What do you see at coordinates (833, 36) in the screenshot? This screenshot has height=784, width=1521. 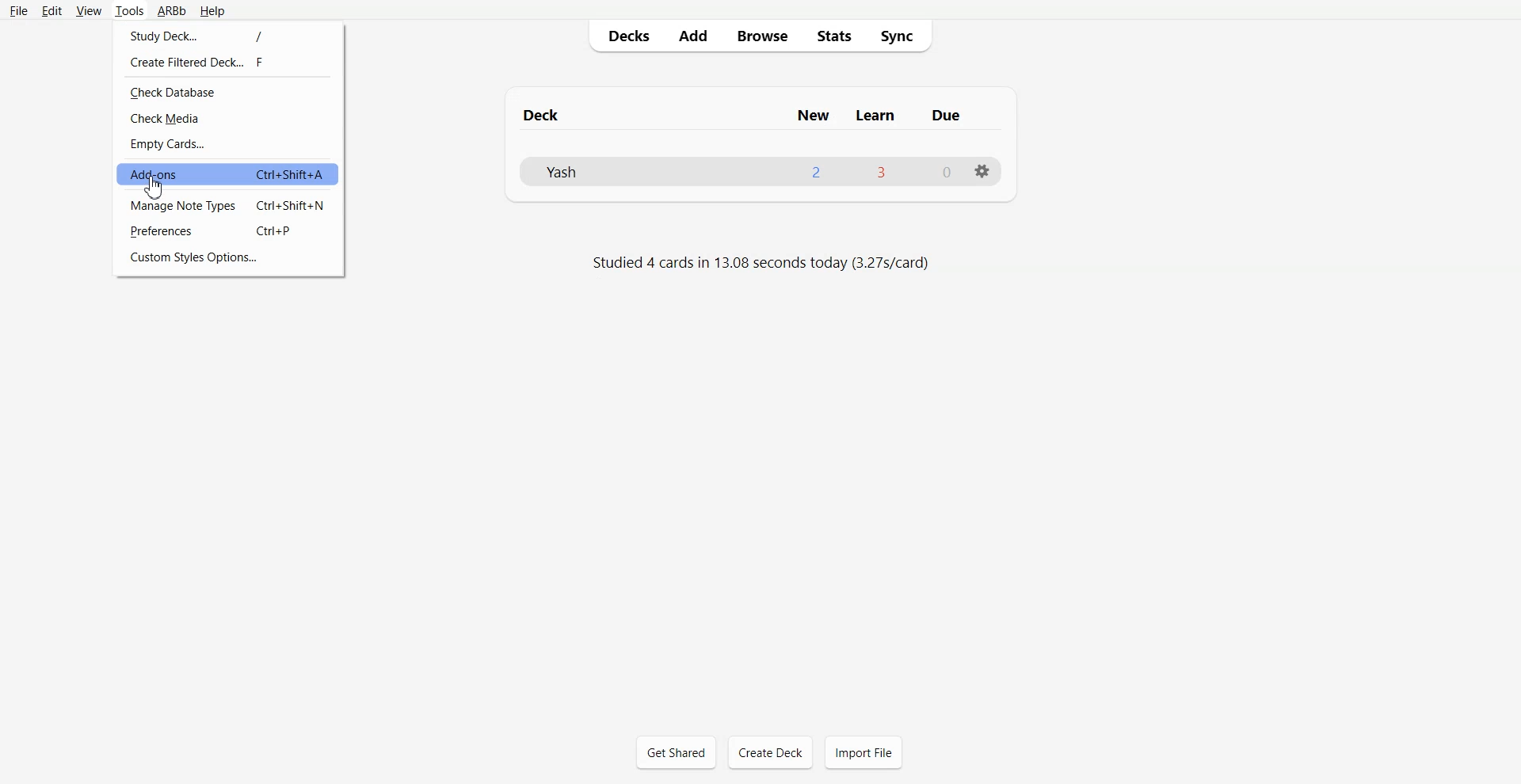 I see `Stats` at bounding box center [833, 36].